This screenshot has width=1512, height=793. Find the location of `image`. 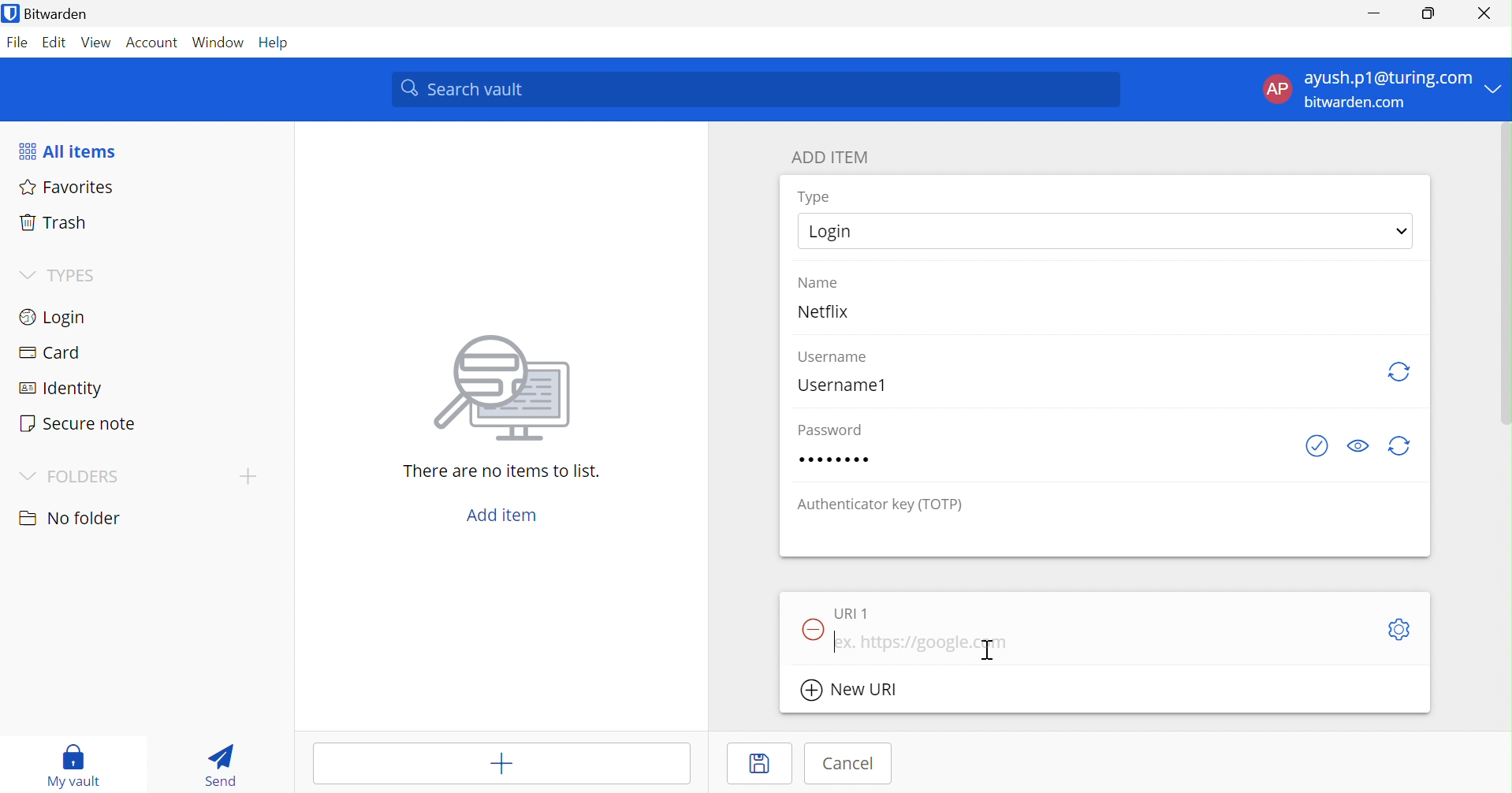

image is located at coordinates (496, 393).